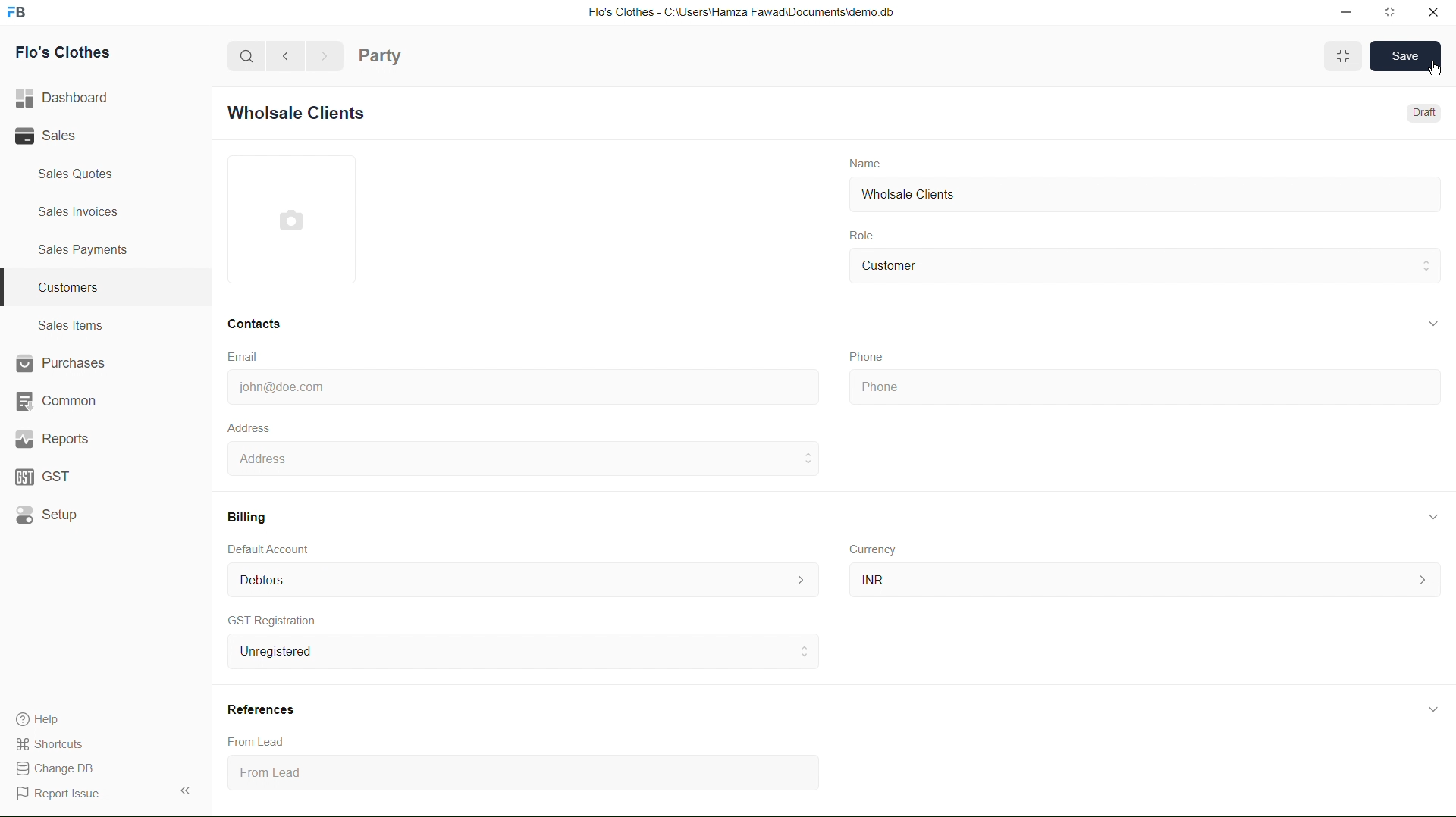 The image size is (1456, 817). What do you see at coordinates (1432, 708) in the screenshot?
I see `expand` at bounding box center [1432, 708].